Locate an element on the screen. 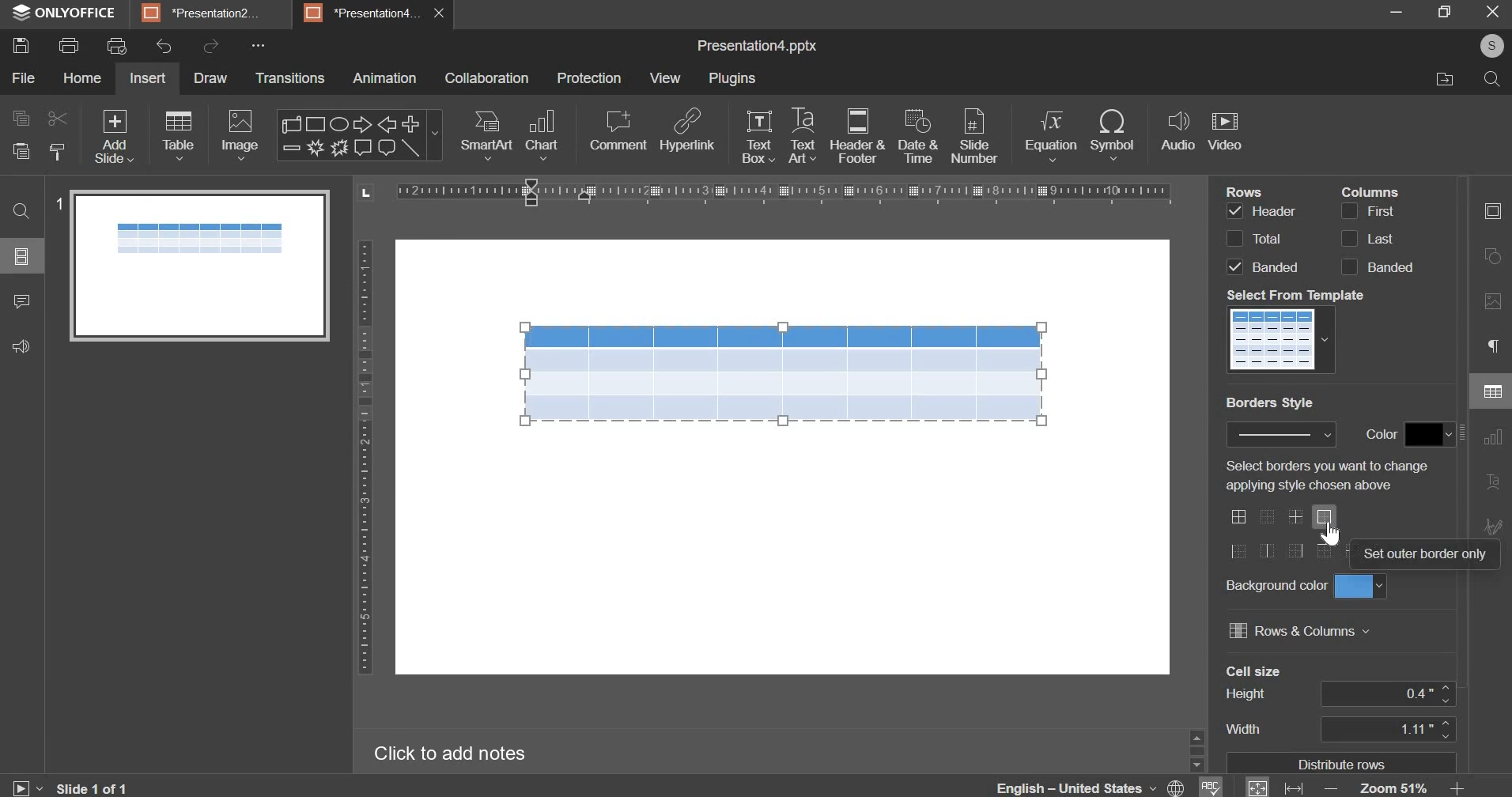 This screenshot has width=1512, height=797. cell size is located at coordinates (1427, 732).